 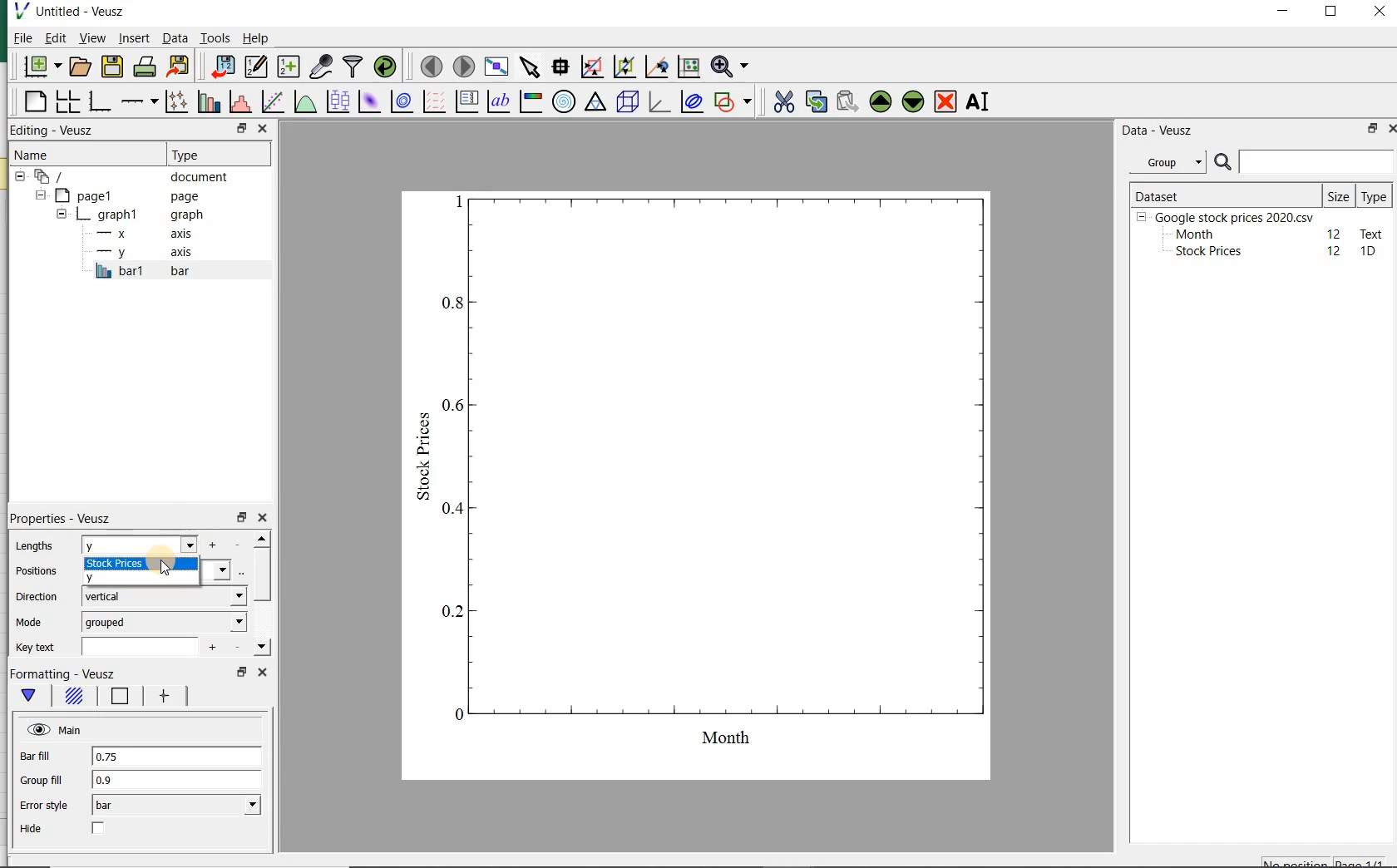 I want to click on renames the selected widget, so click(x=975, y=104).